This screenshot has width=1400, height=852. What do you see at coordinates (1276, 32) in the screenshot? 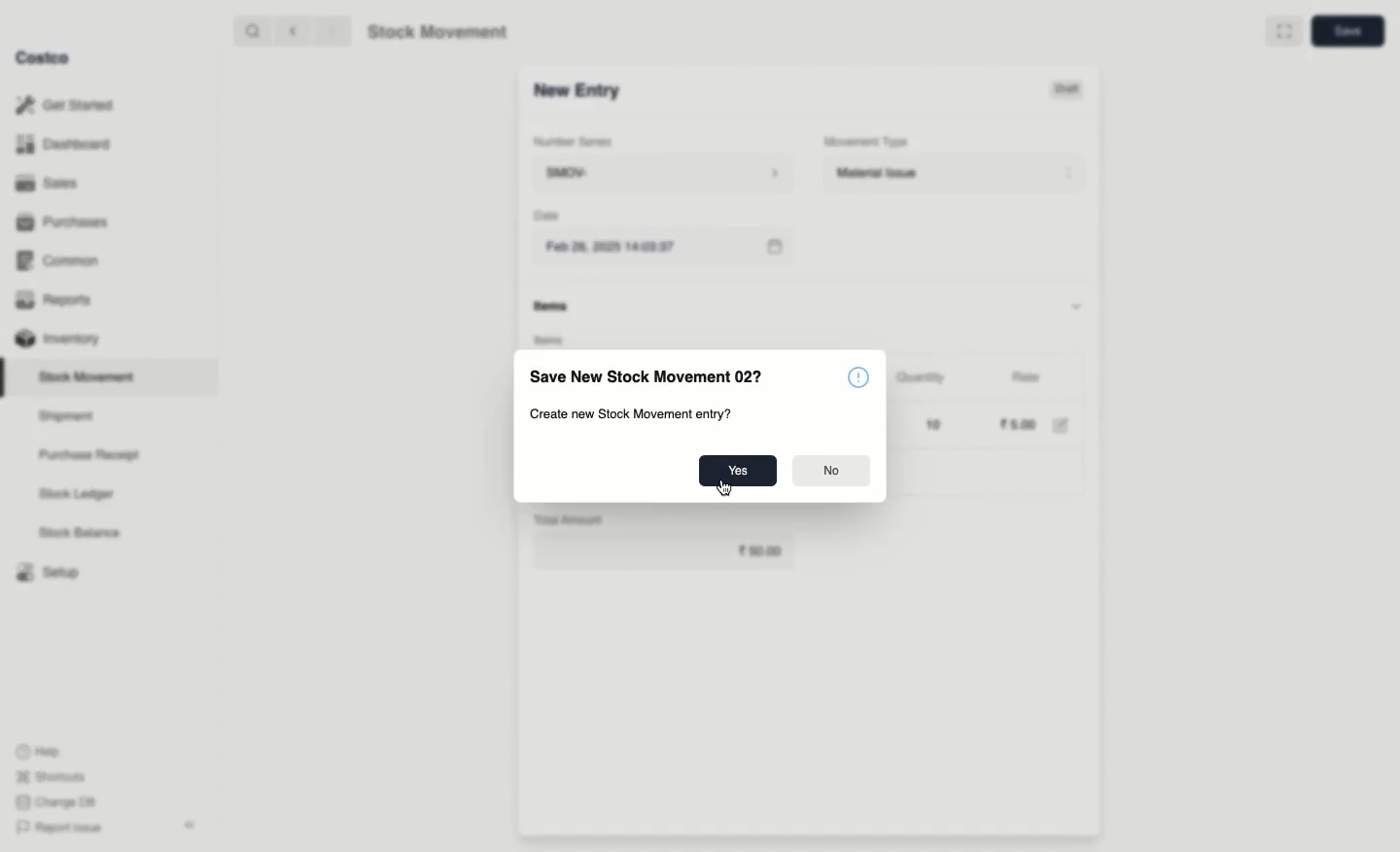
I see `Full width toggle` at bounding box center [1276, 32].